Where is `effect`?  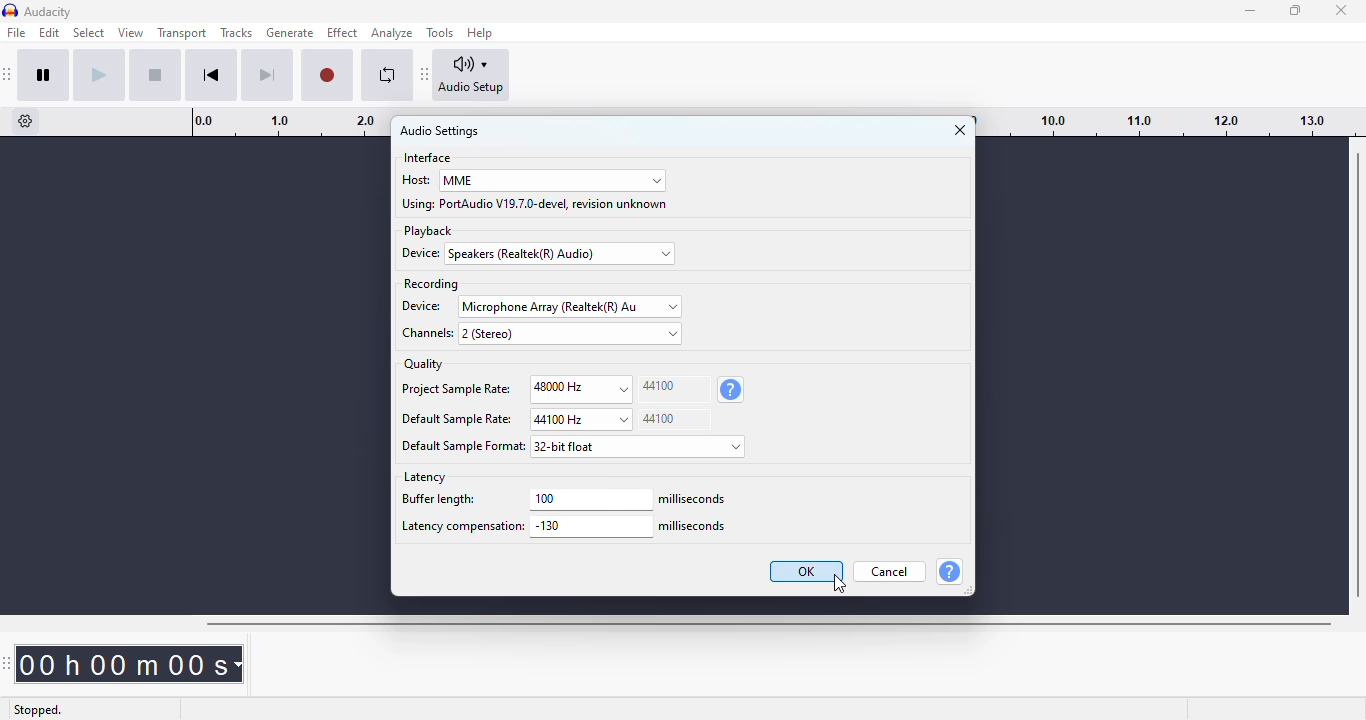
effect is located at coordinates (342, 33).